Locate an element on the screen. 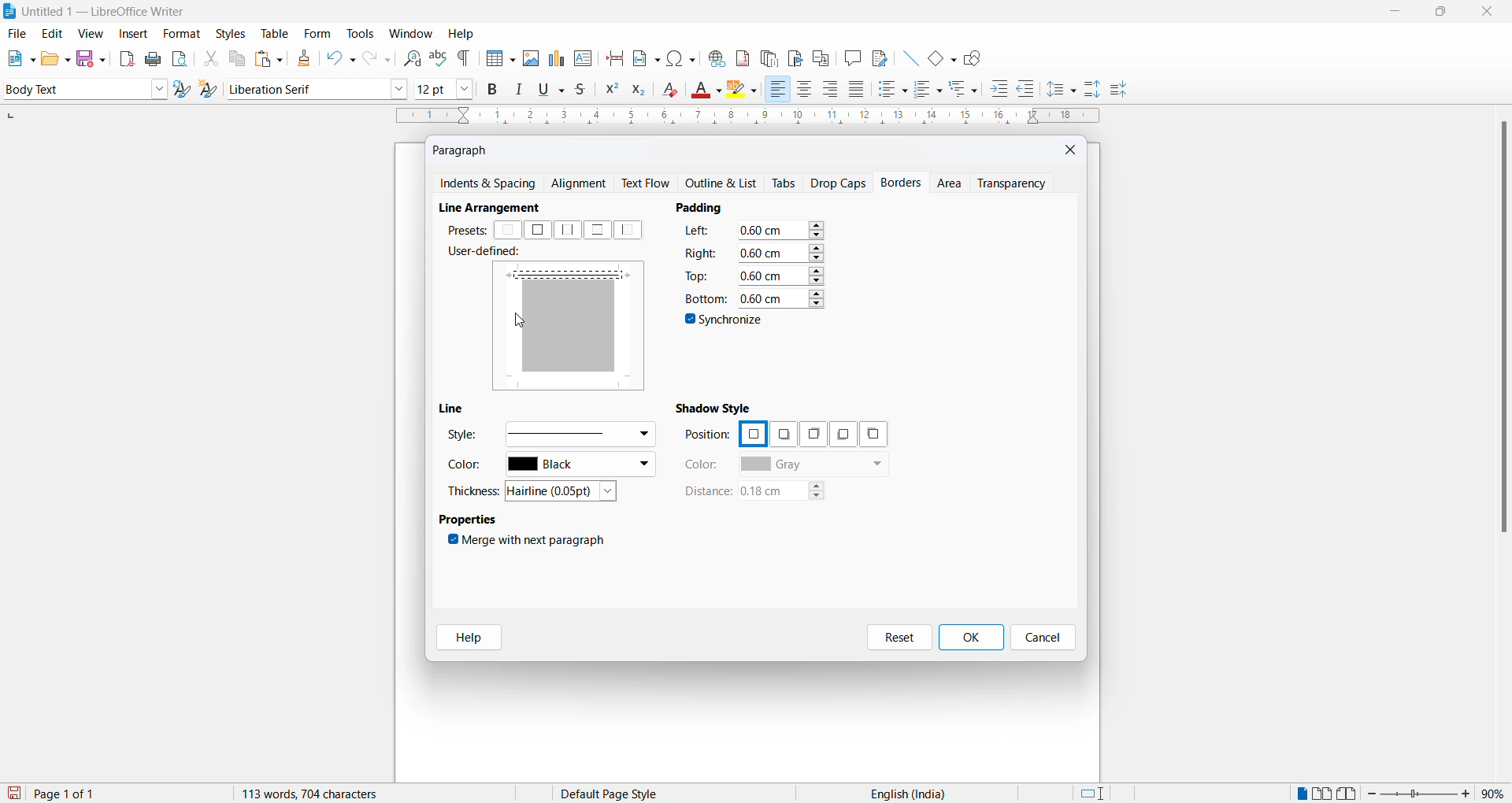 Image resolution: width=1512 pixels, height=803 pixels. single page view is located at coordinates (1300, 794).